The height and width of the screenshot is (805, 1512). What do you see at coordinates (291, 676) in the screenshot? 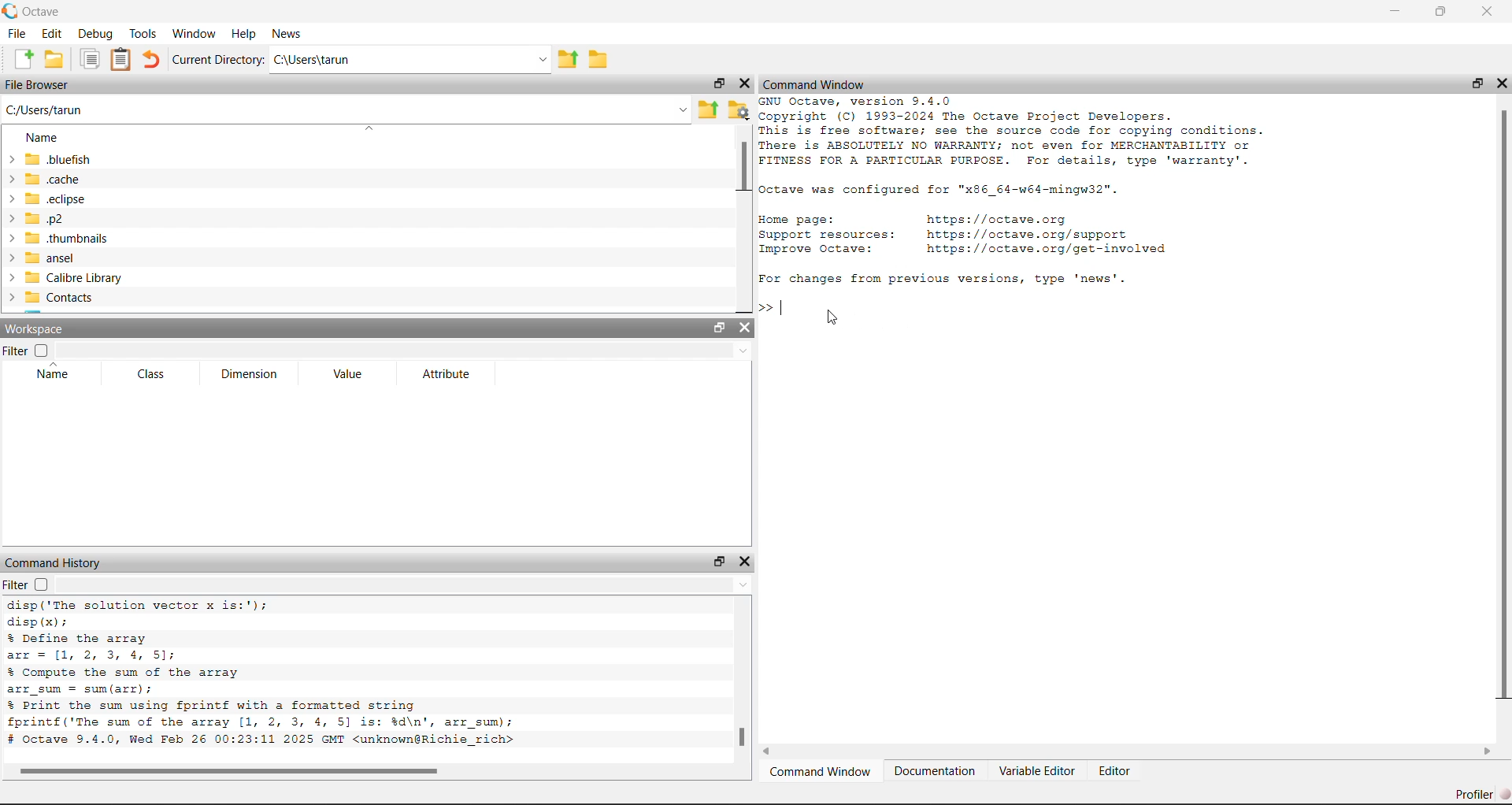
I see `disp('The solution vector x is:');

disp (x);

% Define the array

arr = [1, 2, 3, 4, SI;

% Compute the sum of the array

arr_sum = sum(arr);

% Print the sum using fprintf with a formatted string
fprintf('The sum of the array [1, 2, 3, 4, 5] is: %d\n', arr_sum);
# Octave 9.4.0, Wed Feb 26 00:23:11 2025 GMT <unknown@Richie_rich>` at bounding box center [291, 676].